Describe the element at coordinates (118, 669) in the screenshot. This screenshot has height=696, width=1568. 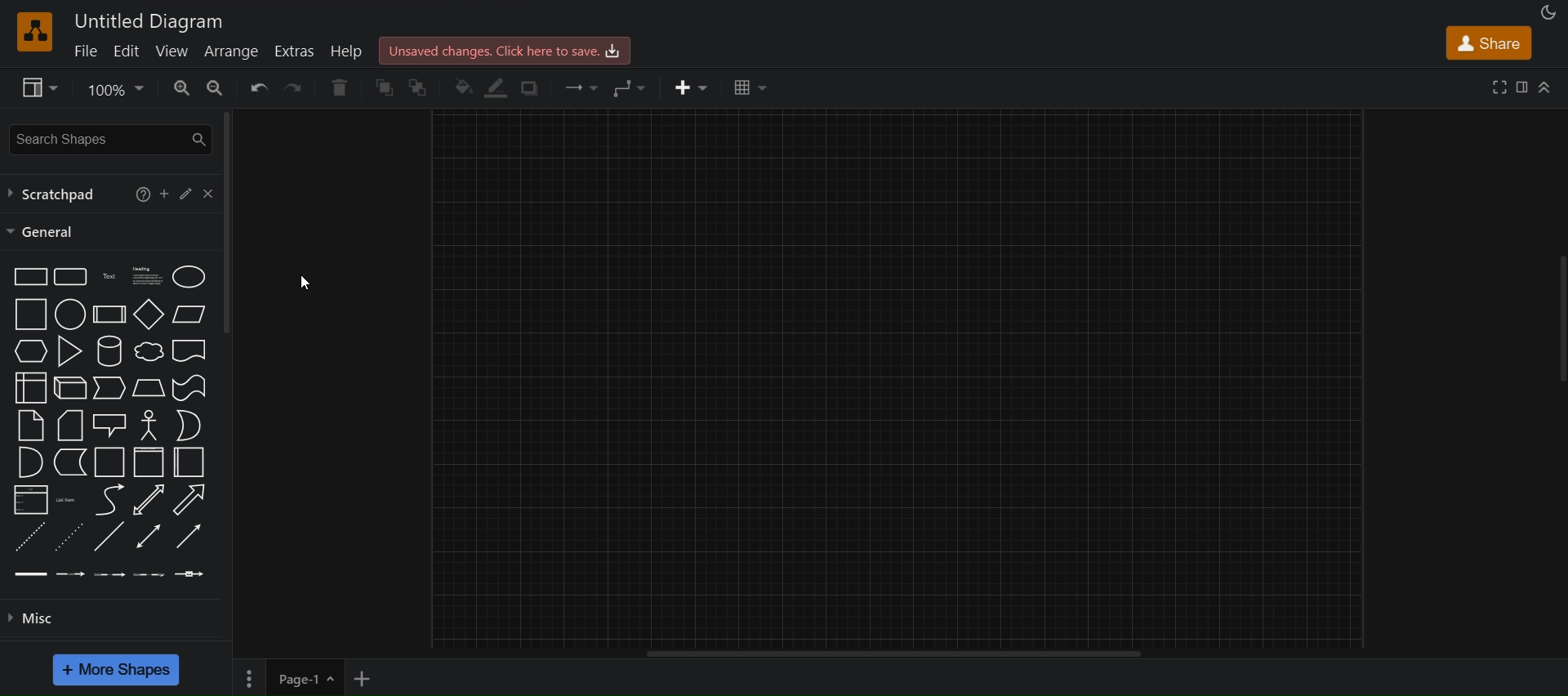
I see `more shapes` at that location.